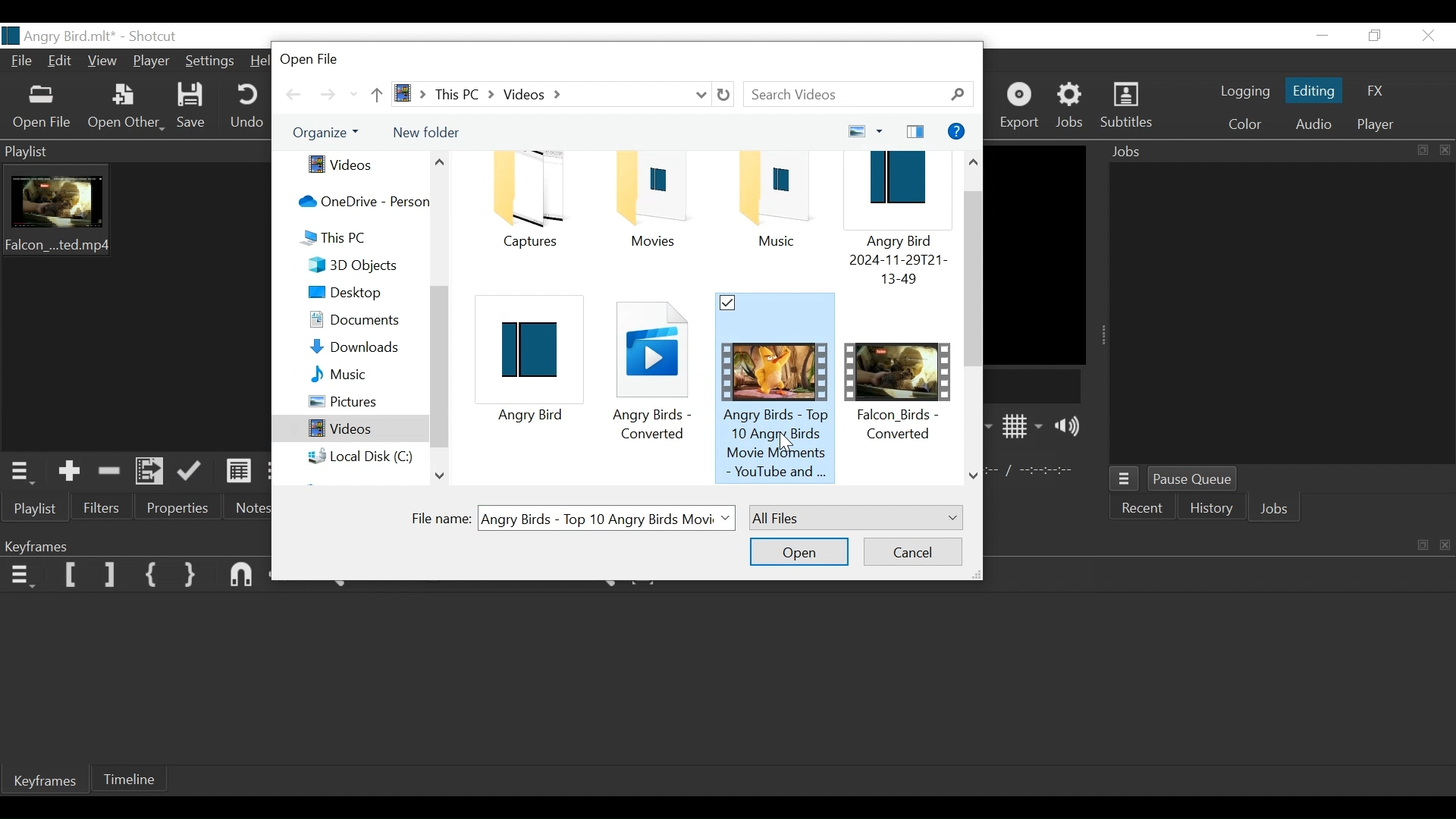 This screenshot has width=1456, height=819. What do you see at coordinates (1145, 508) in the screenshot?
I see `Recent` at bounding box center [1145, 508].